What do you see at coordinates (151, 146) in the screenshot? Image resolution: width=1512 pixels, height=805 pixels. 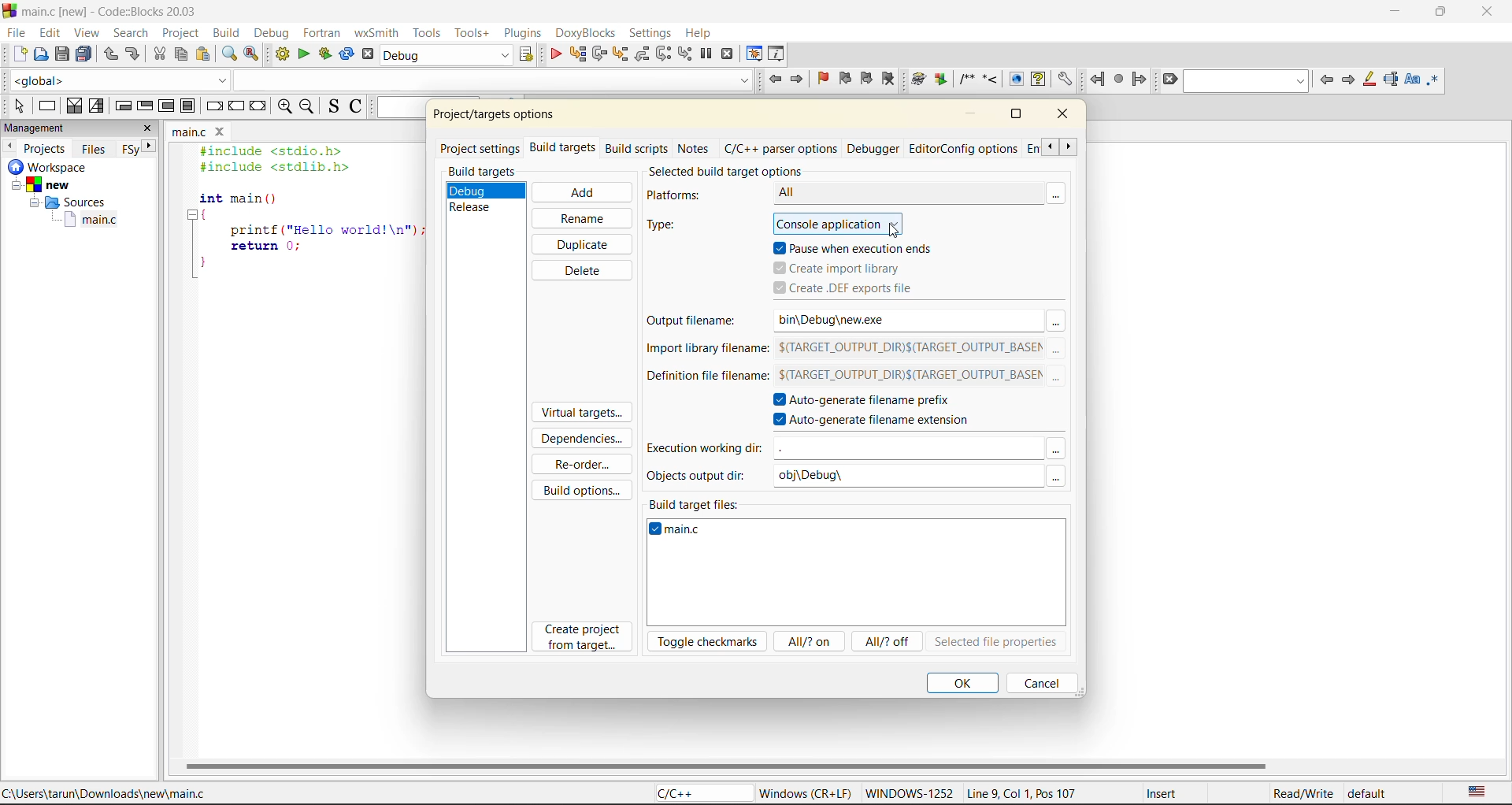 I see `next` at bounding box center [151, 146].